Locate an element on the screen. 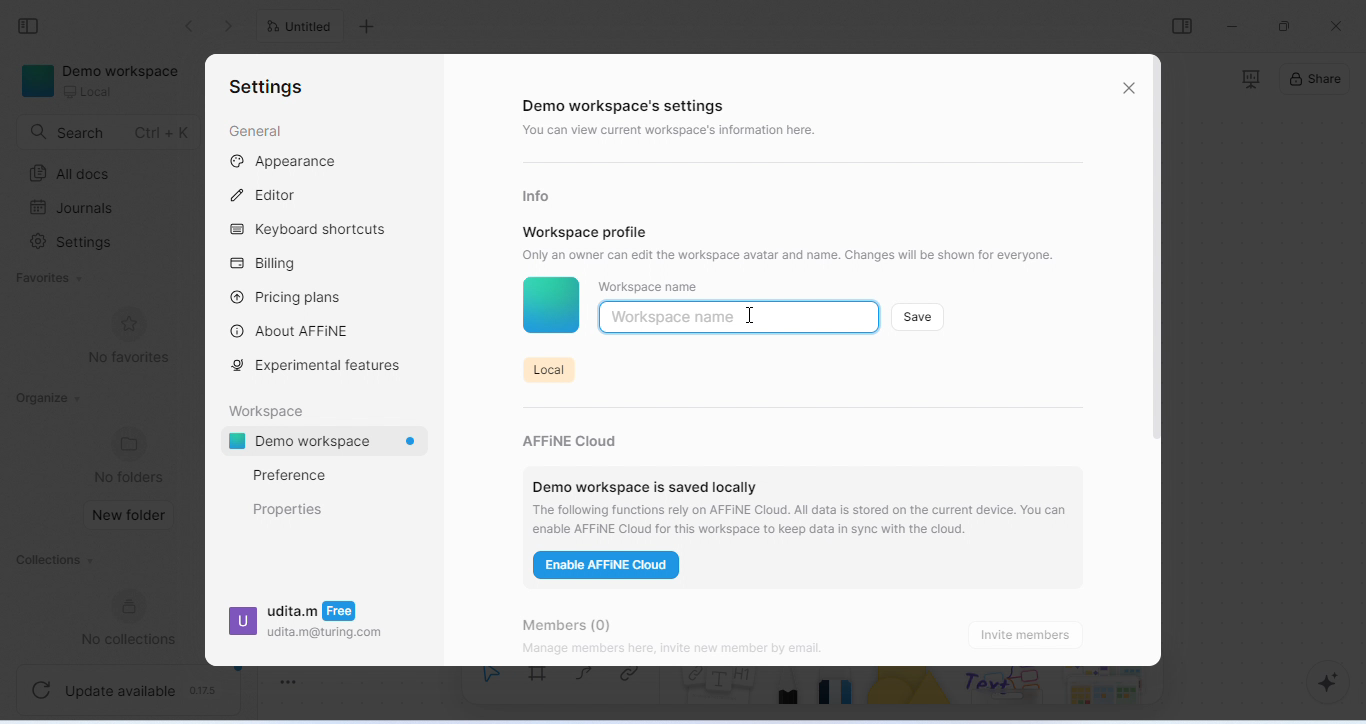 The width and height of the screenshot is (1366, 724). search is located at coordinates (109, 132).